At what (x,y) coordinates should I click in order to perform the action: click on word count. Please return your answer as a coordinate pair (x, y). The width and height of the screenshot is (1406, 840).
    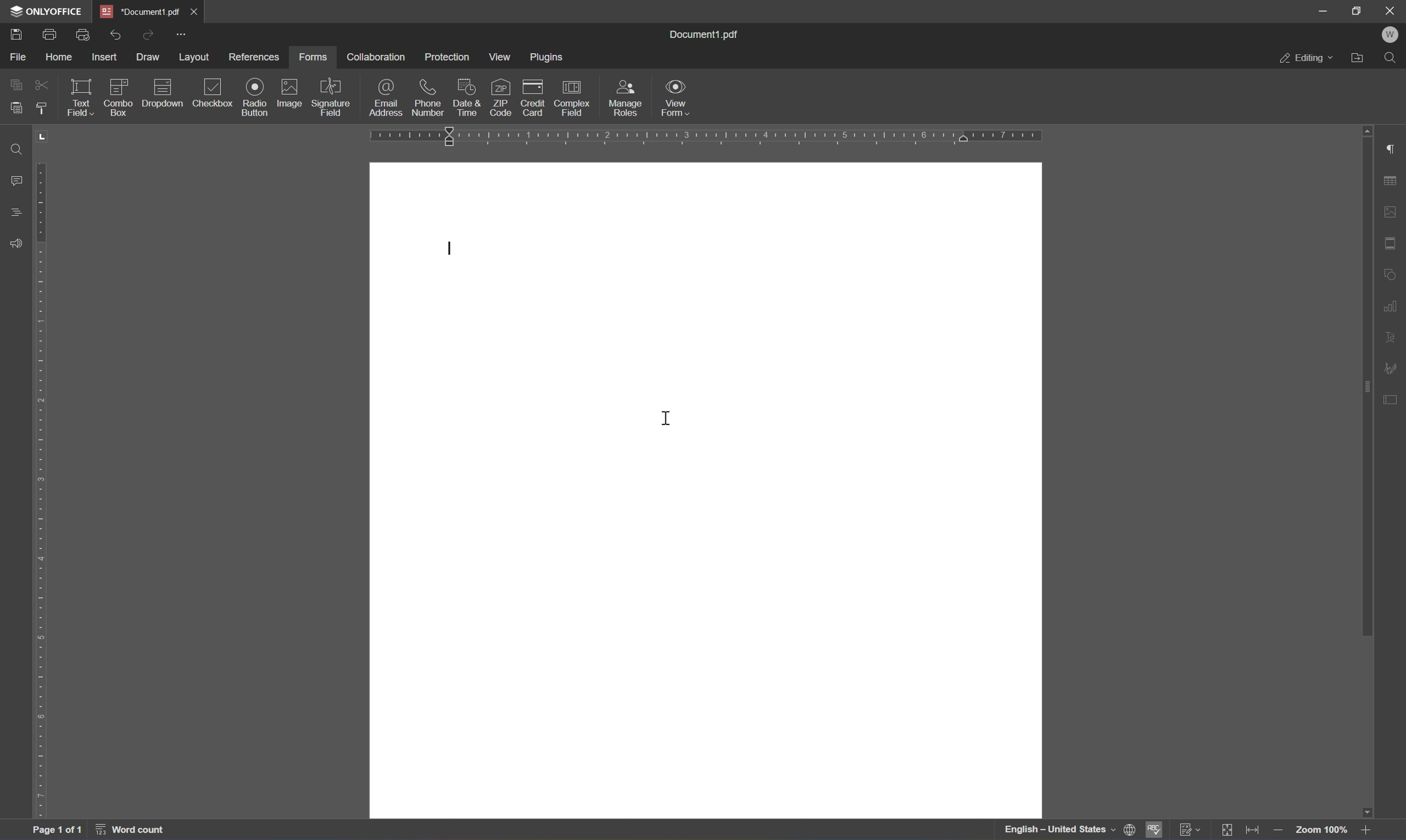
    Looking at the image, I should click on (132, 830).